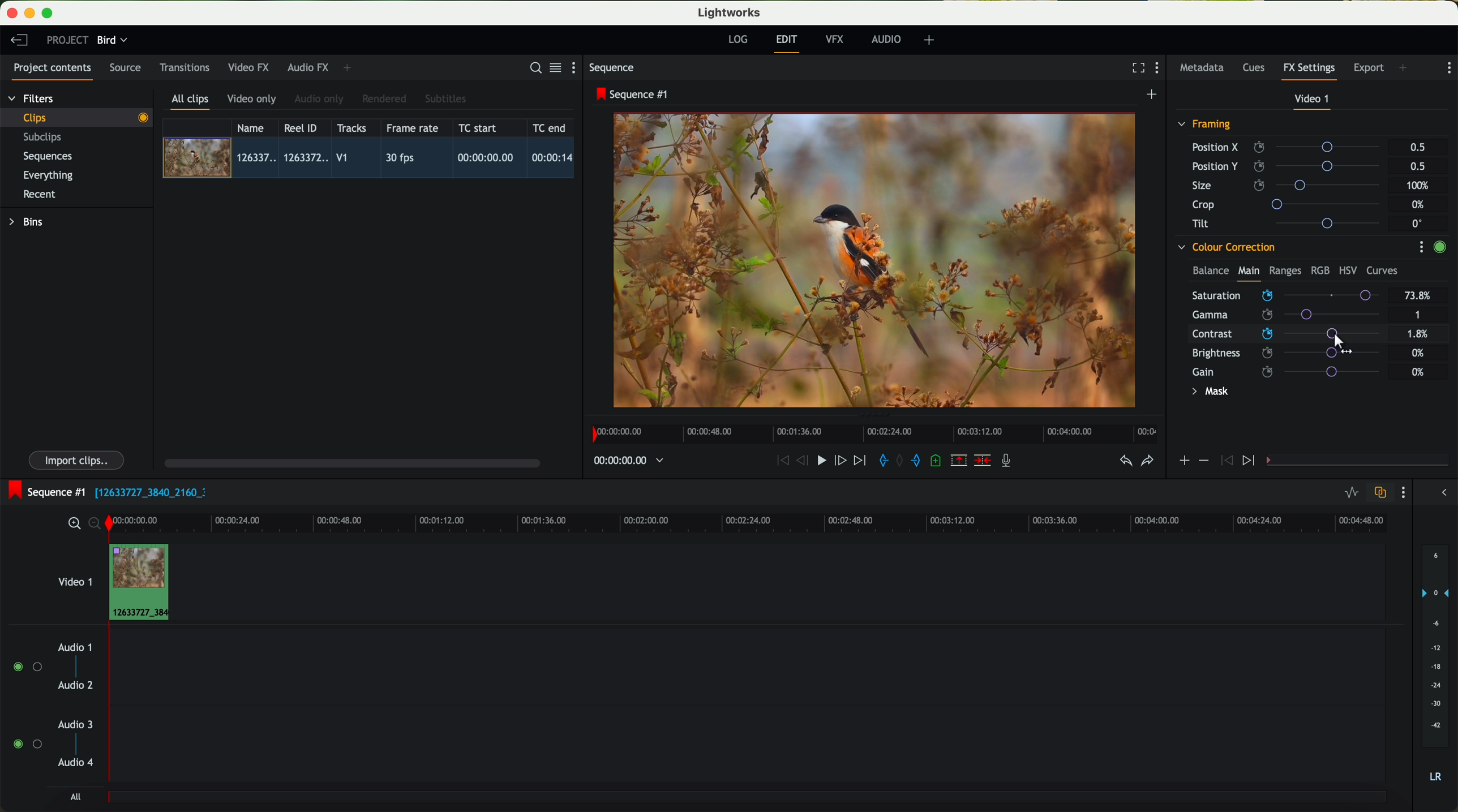 The image size is (1458, 812). Describe the element at coordinates (983, 461) in the screenshot. I see `delete/cut` at that location.